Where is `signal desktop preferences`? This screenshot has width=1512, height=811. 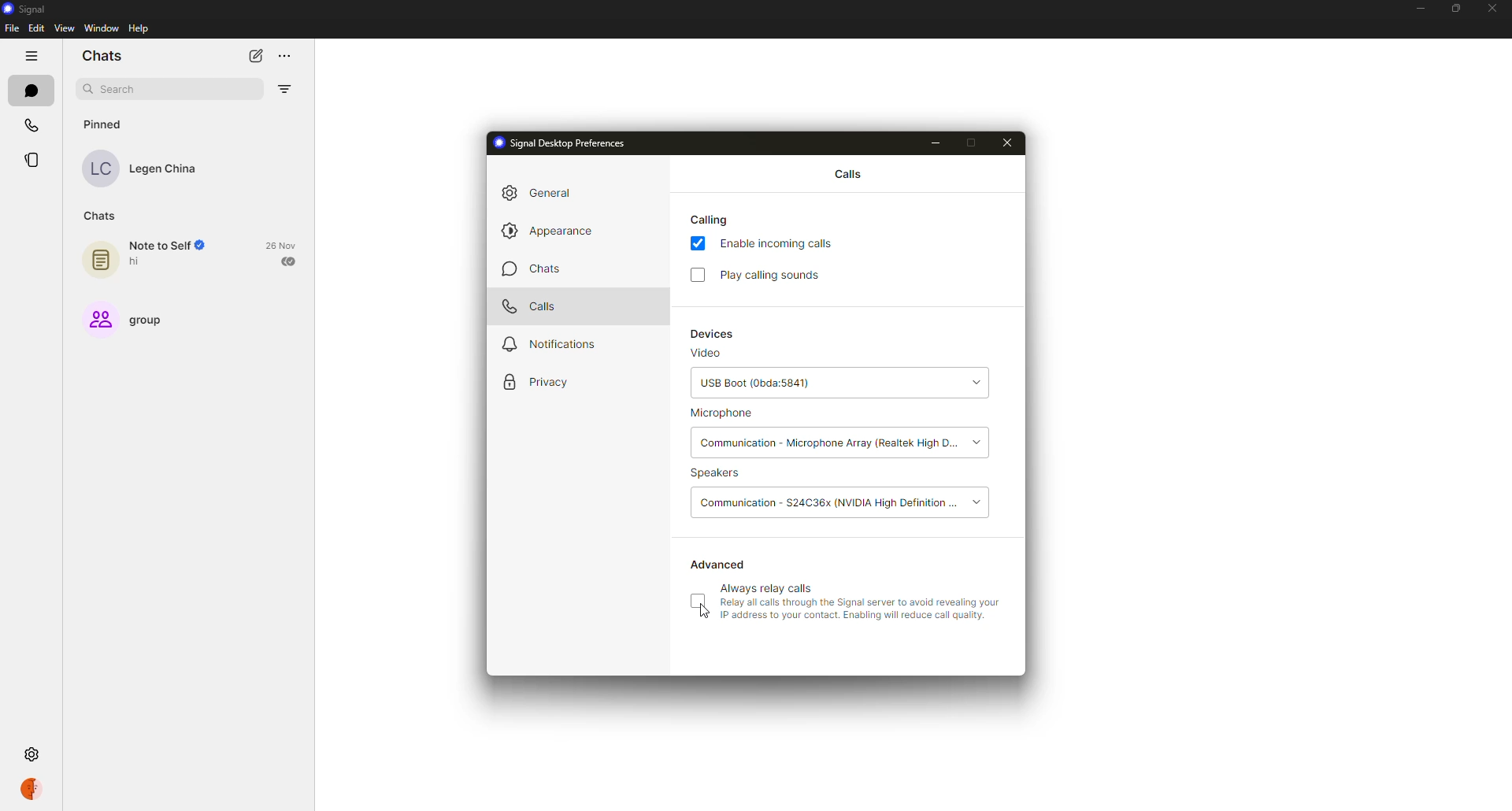
signal desktop preferences is located at coordinates (558, 142).